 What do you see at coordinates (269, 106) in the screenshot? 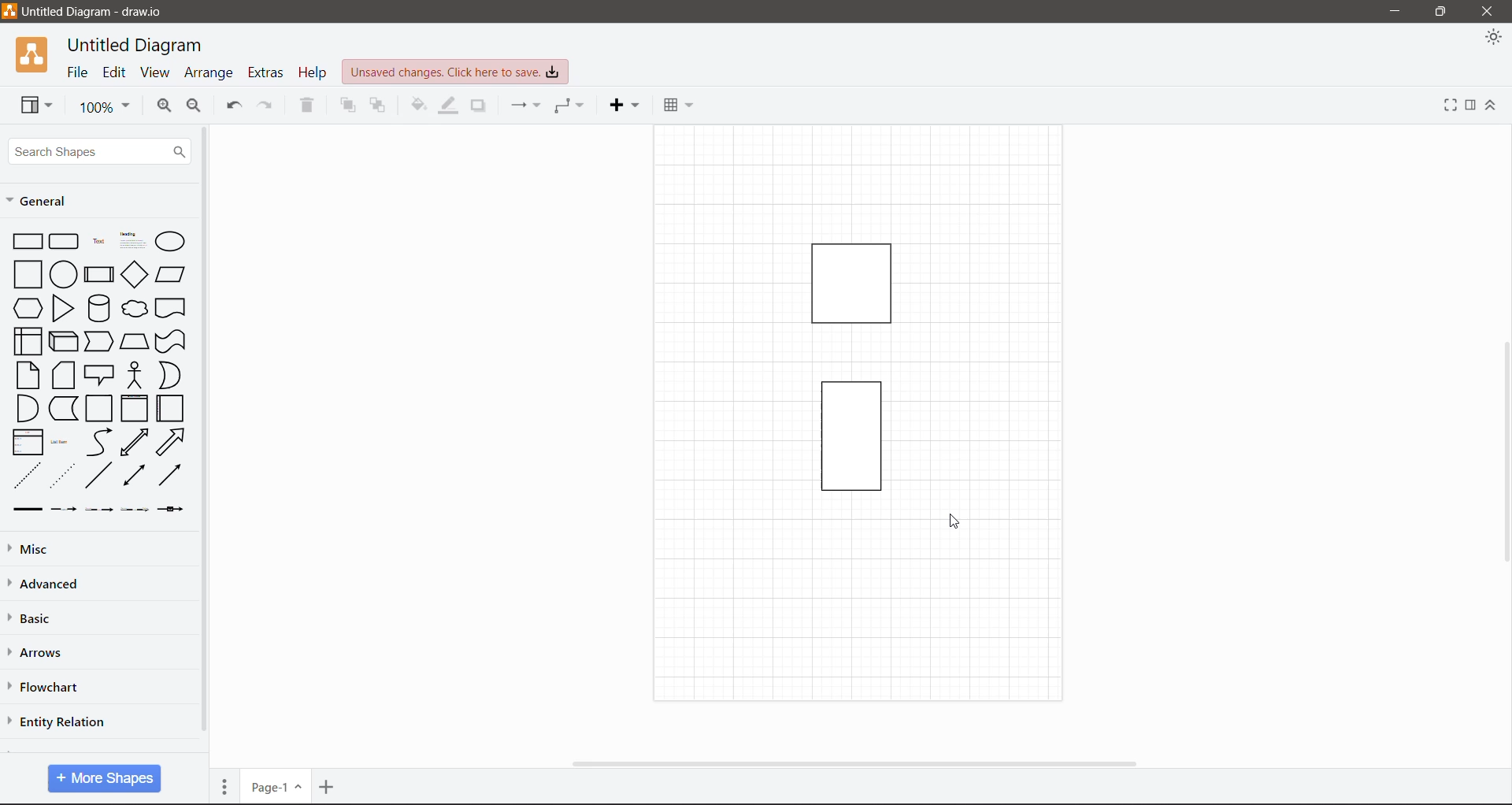
I see `Redo` at bounding box center [269, 106].